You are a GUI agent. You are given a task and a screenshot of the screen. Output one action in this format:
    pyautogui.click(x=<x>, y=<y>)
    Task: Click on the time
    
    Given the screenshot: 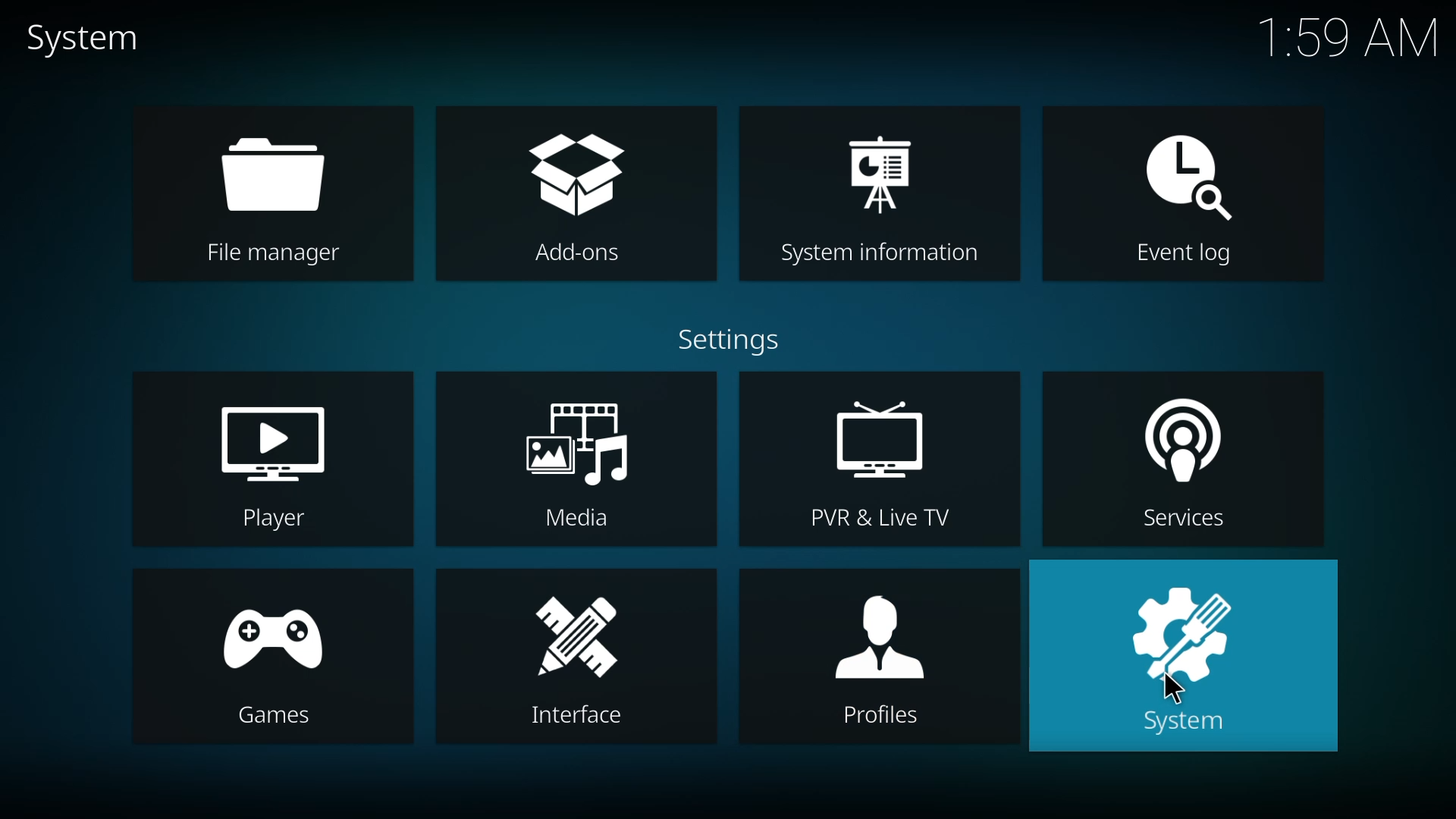 What is the action you would take?
    pyautogui.click(x=1348, y=36)
    